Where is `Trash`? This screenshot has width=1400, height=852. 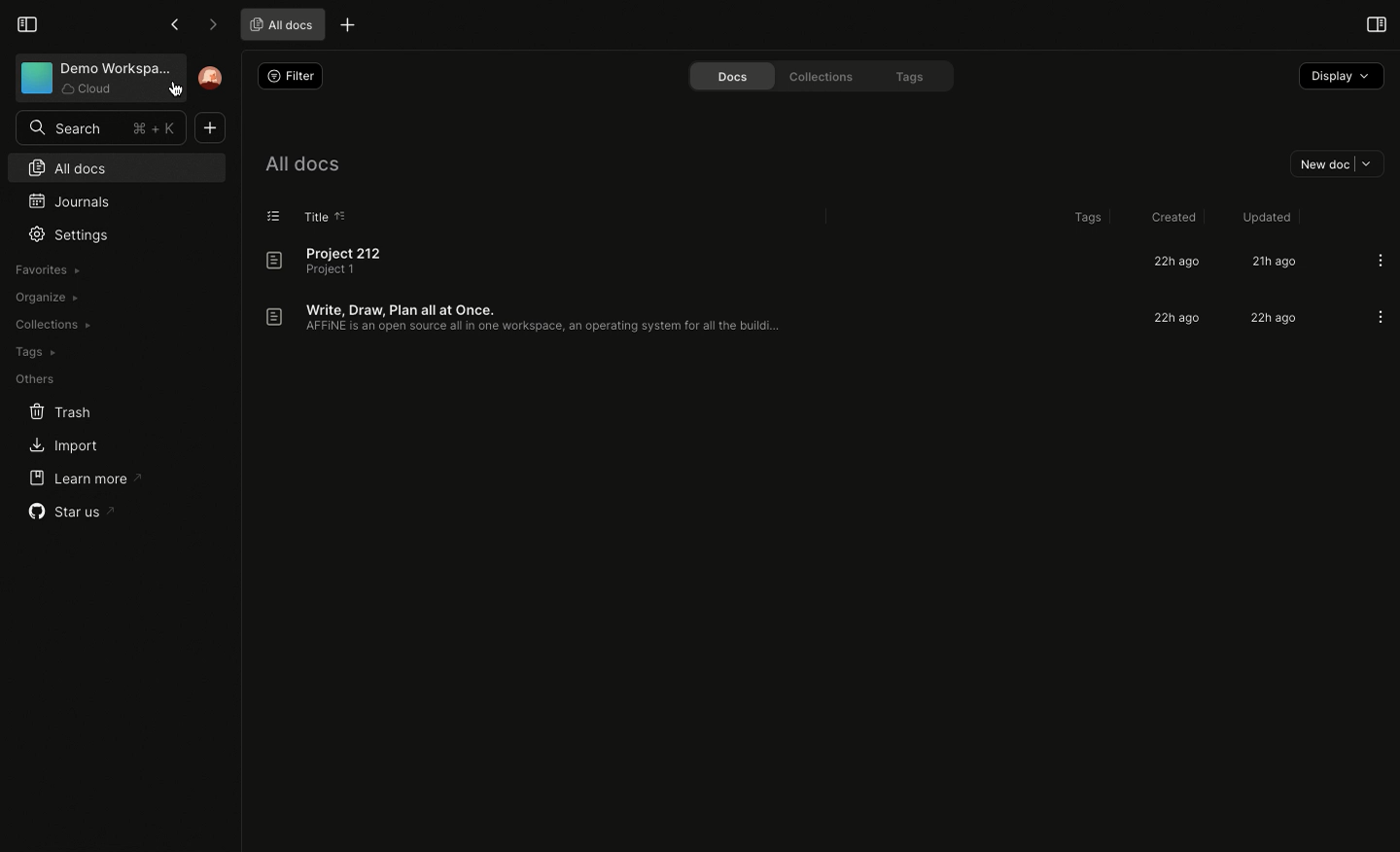 Trash is located at coordinates (60, 412).